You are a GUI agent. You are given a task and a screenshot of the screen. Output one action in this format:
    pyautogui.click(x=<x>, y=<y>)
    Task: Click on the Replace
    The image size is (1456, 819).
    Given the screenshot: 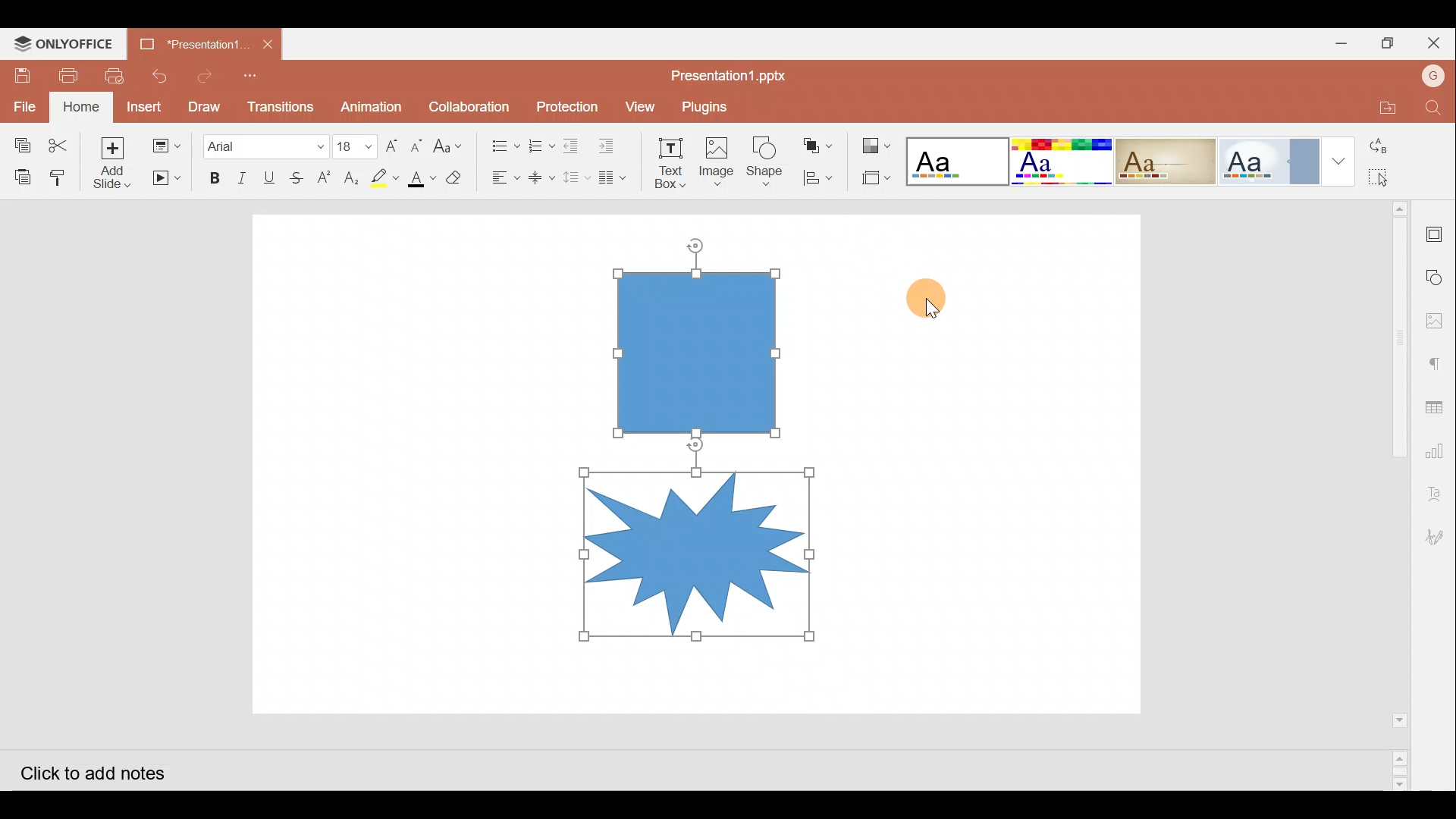 What is the action you would take?
    pyautogui.click(x=1386, y=146)
    